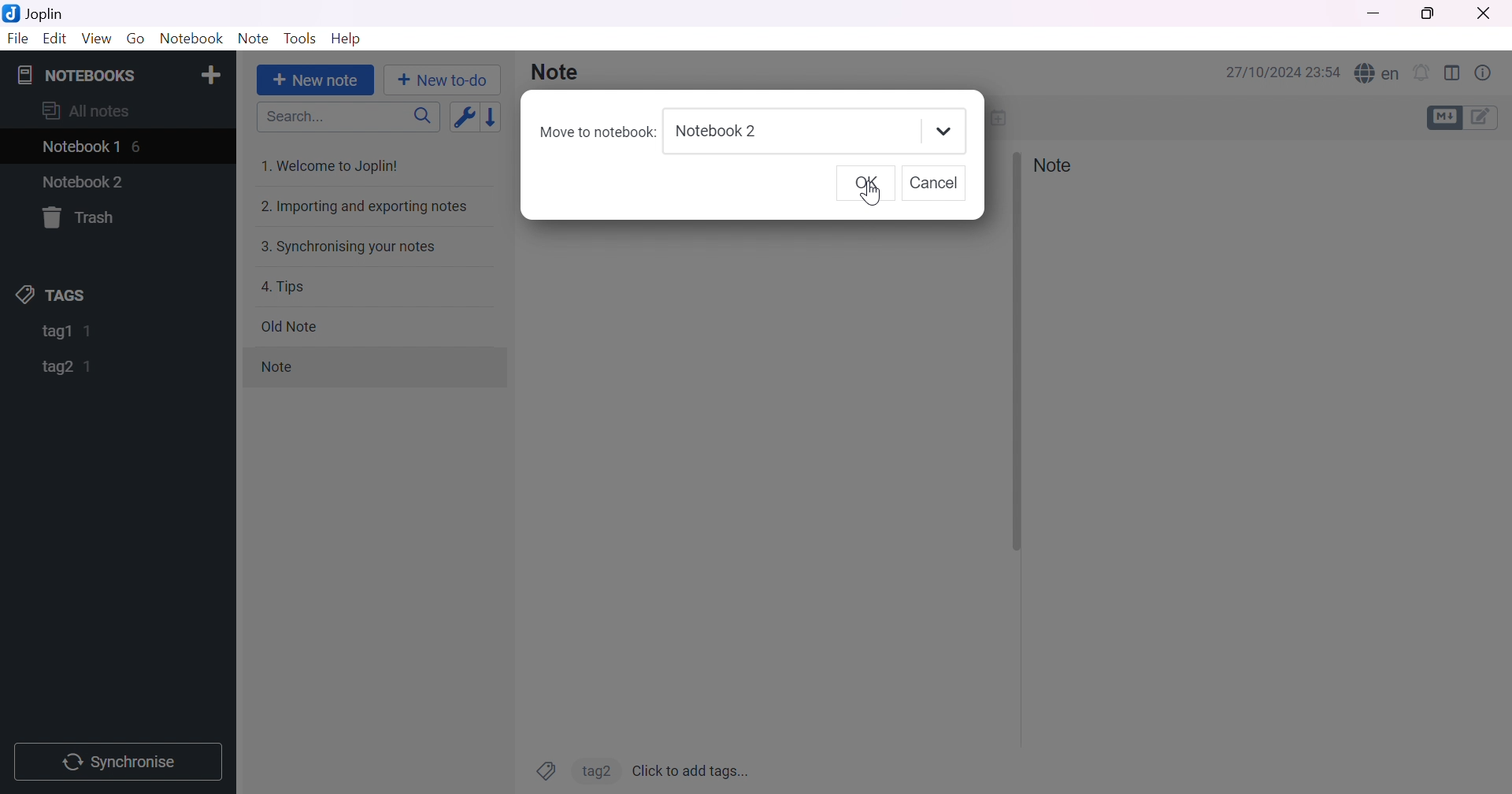 This screenshot has width=1512, height=794. Describe the element at coordinates (334, 165) in the screenshot. I see `1. Welcome to Joplin!` at that location.